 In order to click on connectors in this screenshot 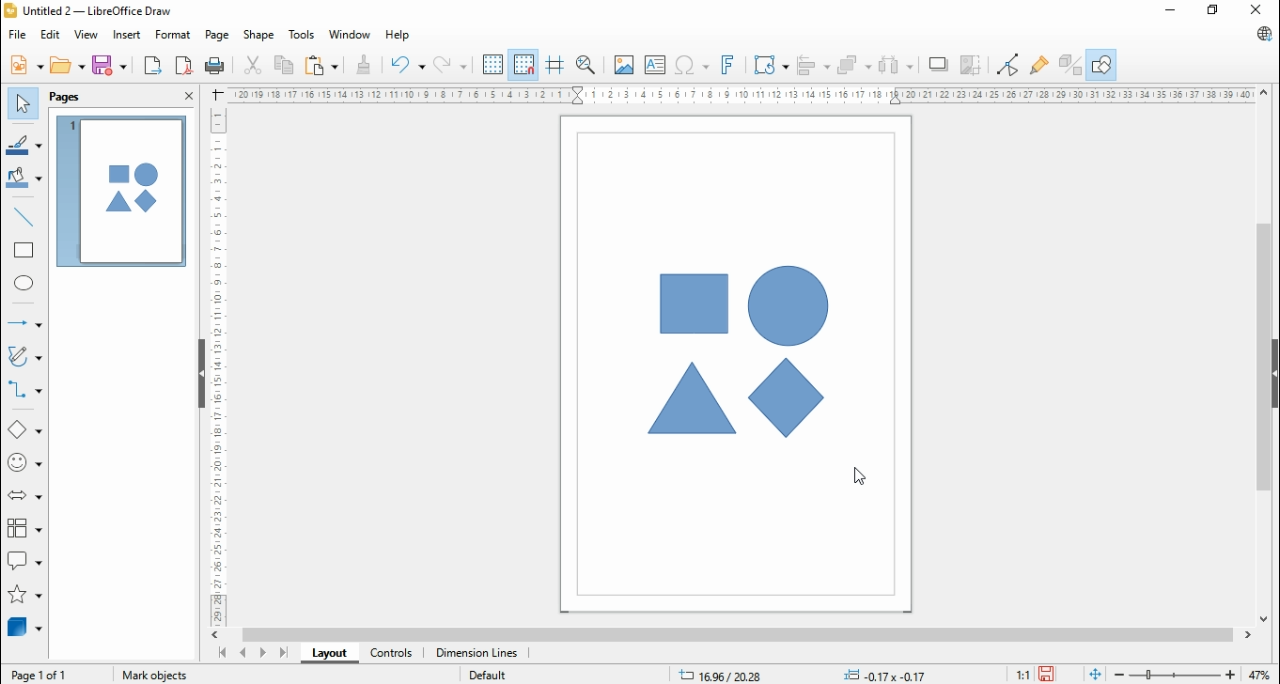, I will do `click(24, 390)`.